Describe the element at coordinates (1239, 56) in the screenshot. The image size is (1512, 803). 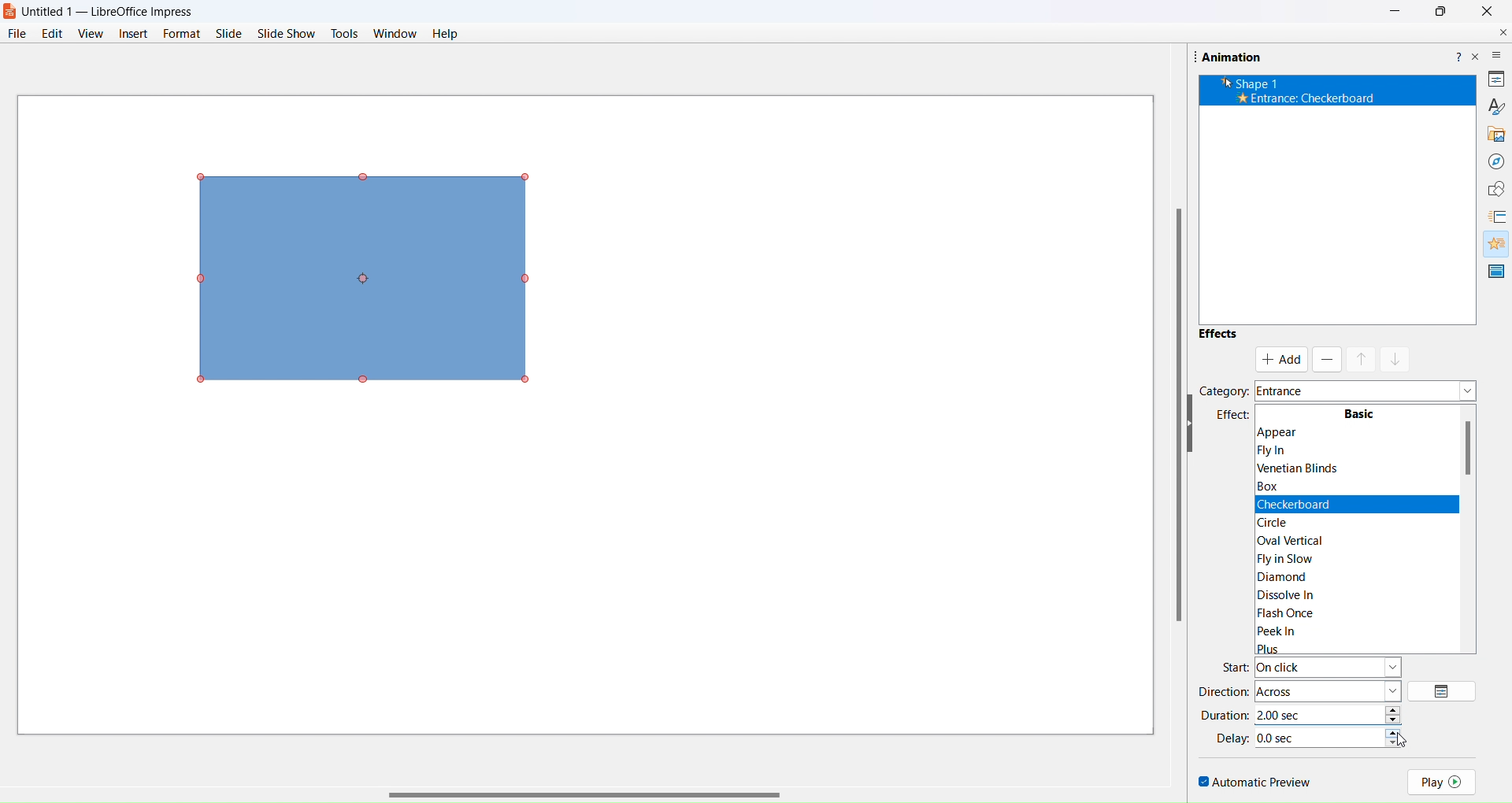
I see `Animation` at that location.